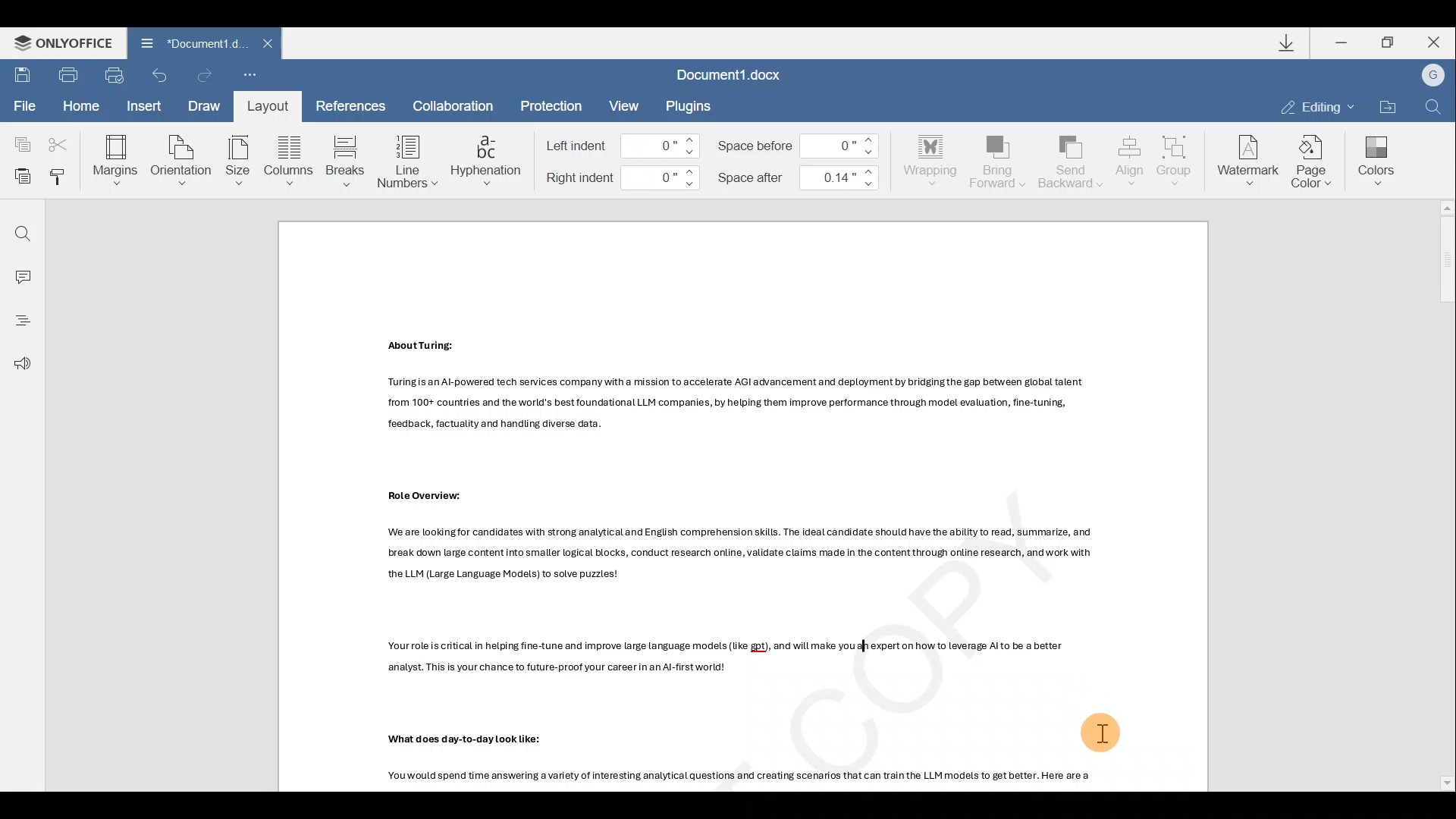 This screenshot has width=1456, height=819. What do you see at coordinates (1342, 42) in the screenshot?
I see `Minimize` at bounding box center [1342, 42].